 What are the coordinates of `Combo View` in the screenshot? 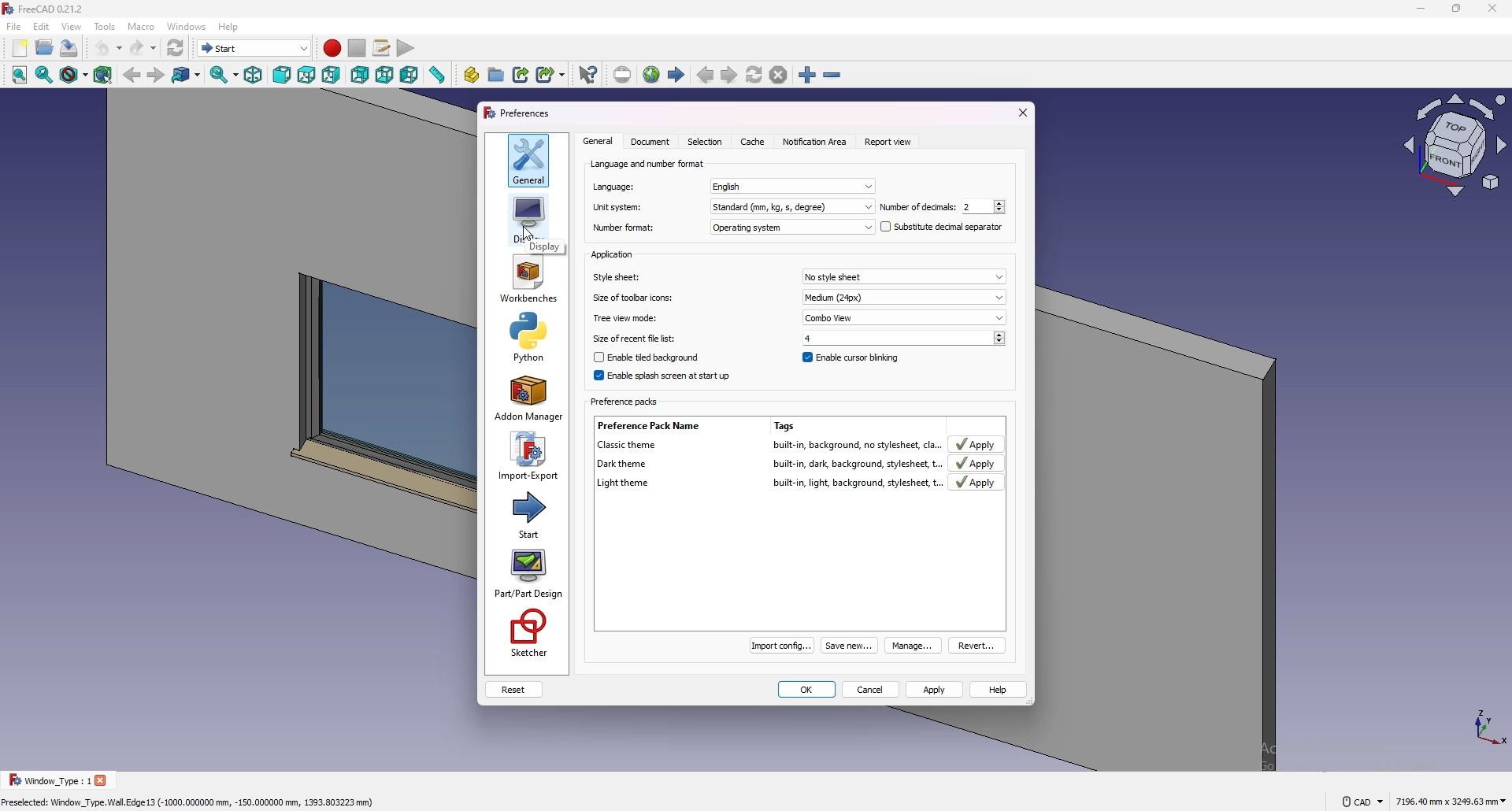 It's located at (902, 317).